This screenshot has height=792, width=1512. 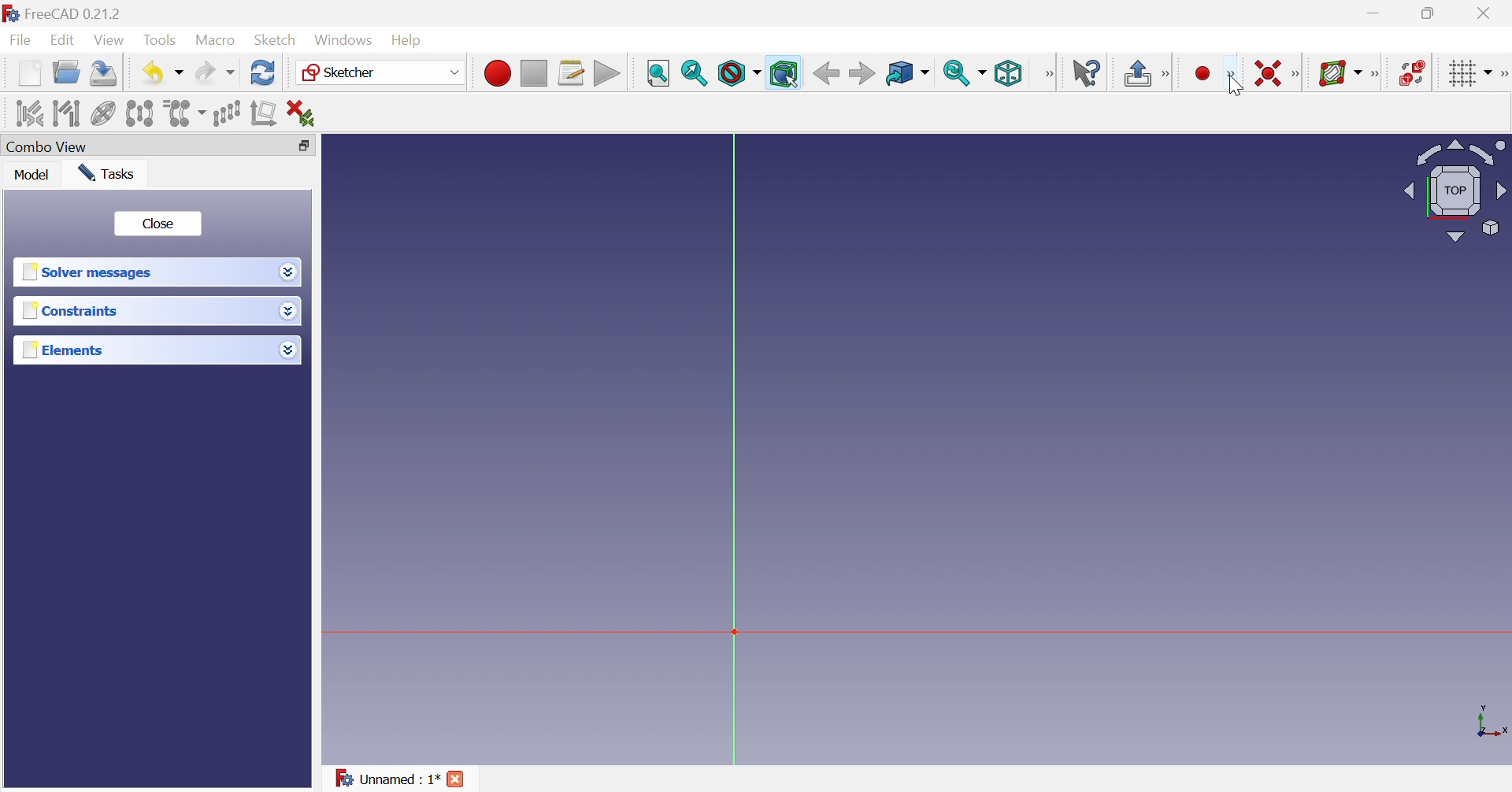 What do you see at coordinates (387, 779) in the screenshot?
I see `Unnamed : 1` at bounding box center [387, 779].